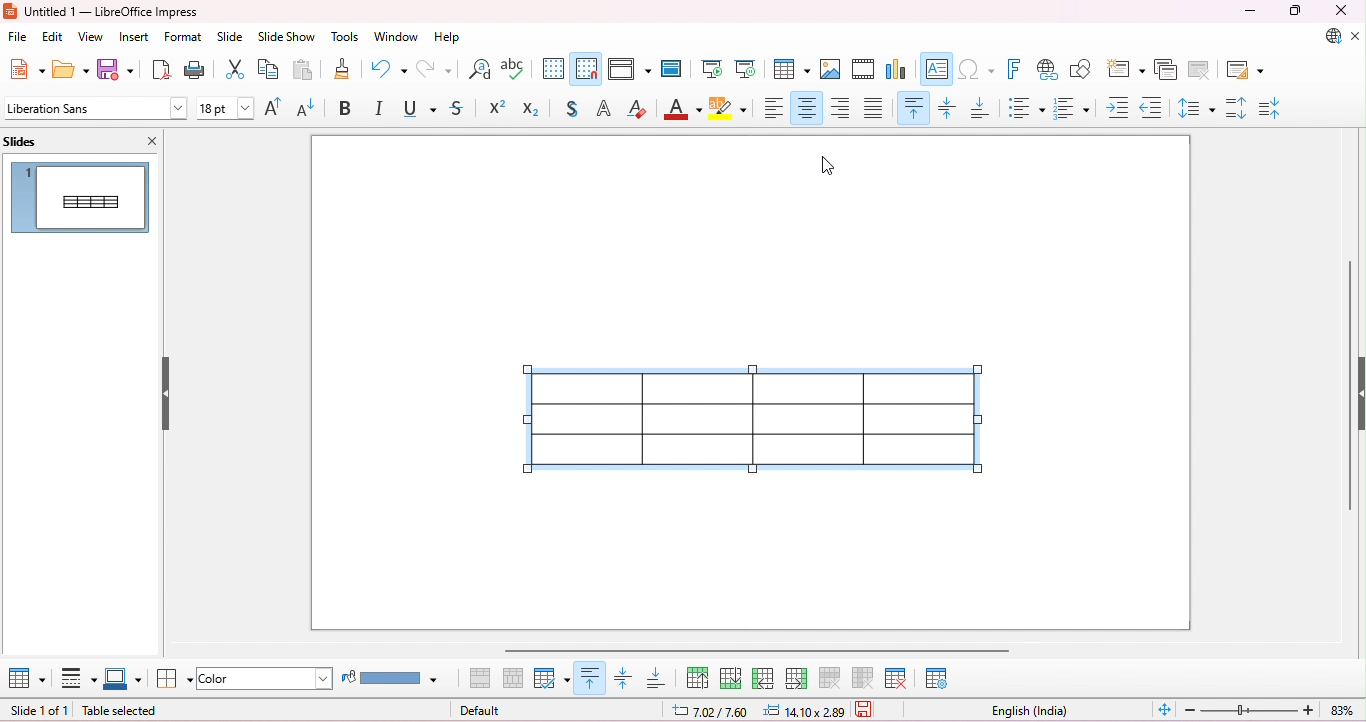 Image resolution: width=1366 pixels, height=722 pixels. I want to click on increase indent, so click(1119, 108).